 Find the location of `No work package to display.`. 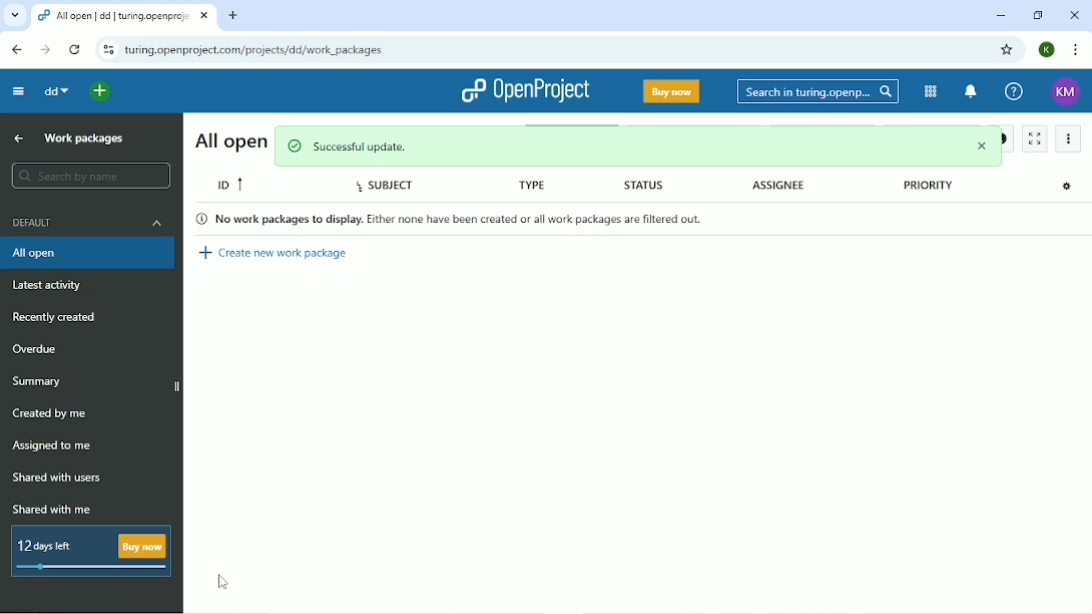

No work package to display. is located at coordinates (461, 218).